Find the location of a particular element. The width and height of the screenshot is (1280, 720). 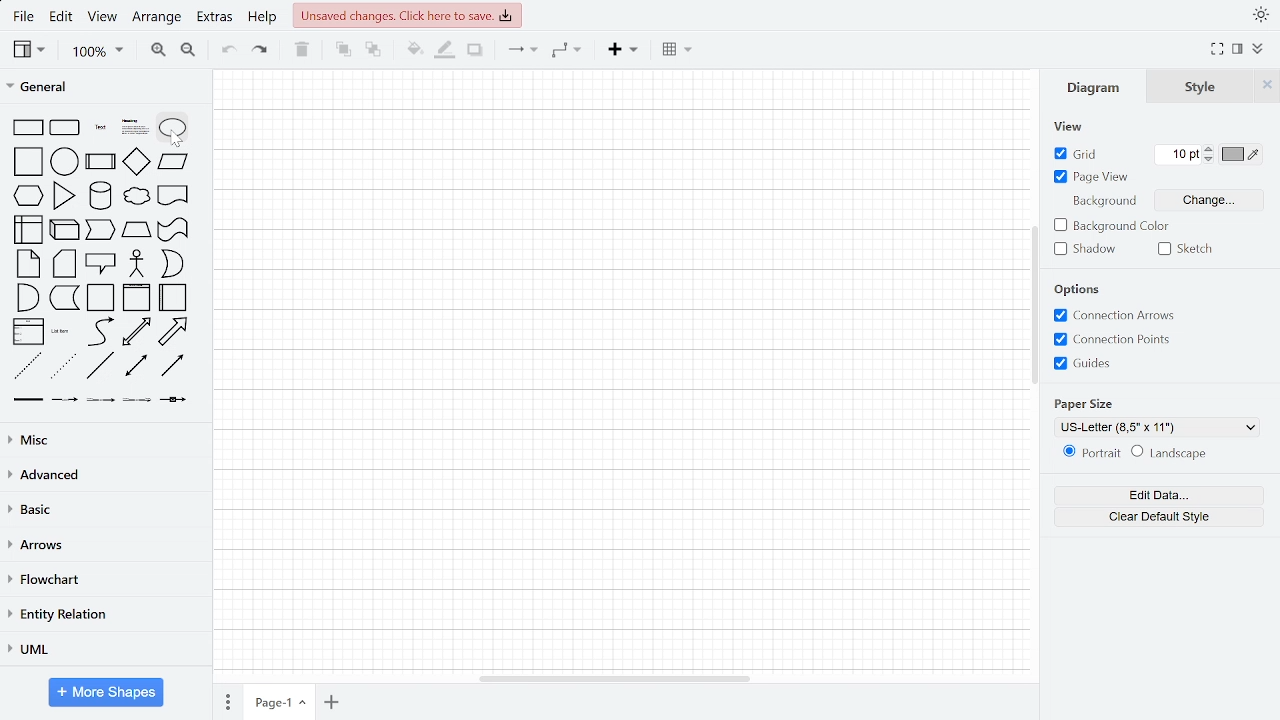

square is located at coordinates (26, 163).